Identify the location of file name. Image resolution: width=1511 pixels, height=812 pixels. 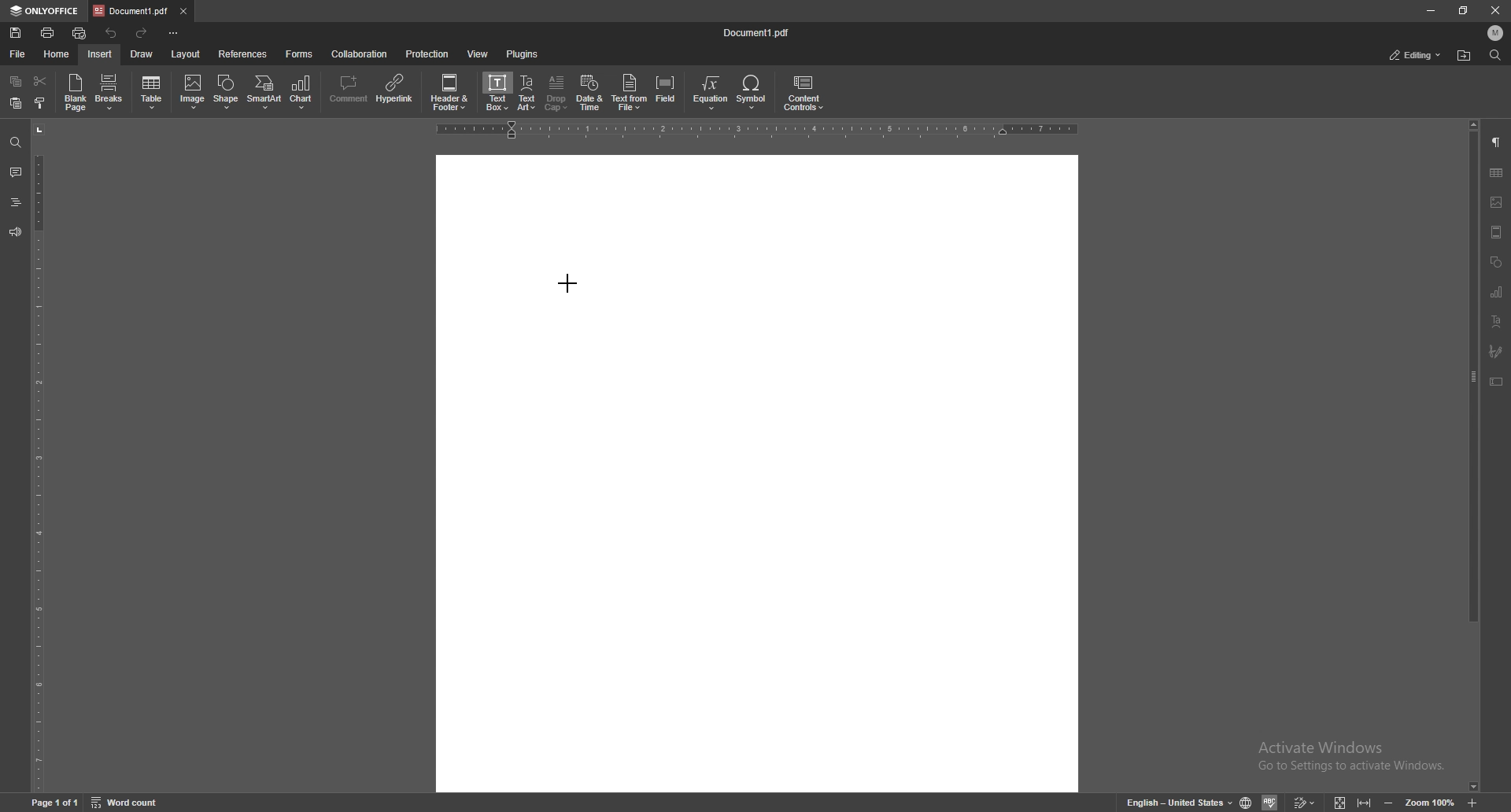
(758, 31).